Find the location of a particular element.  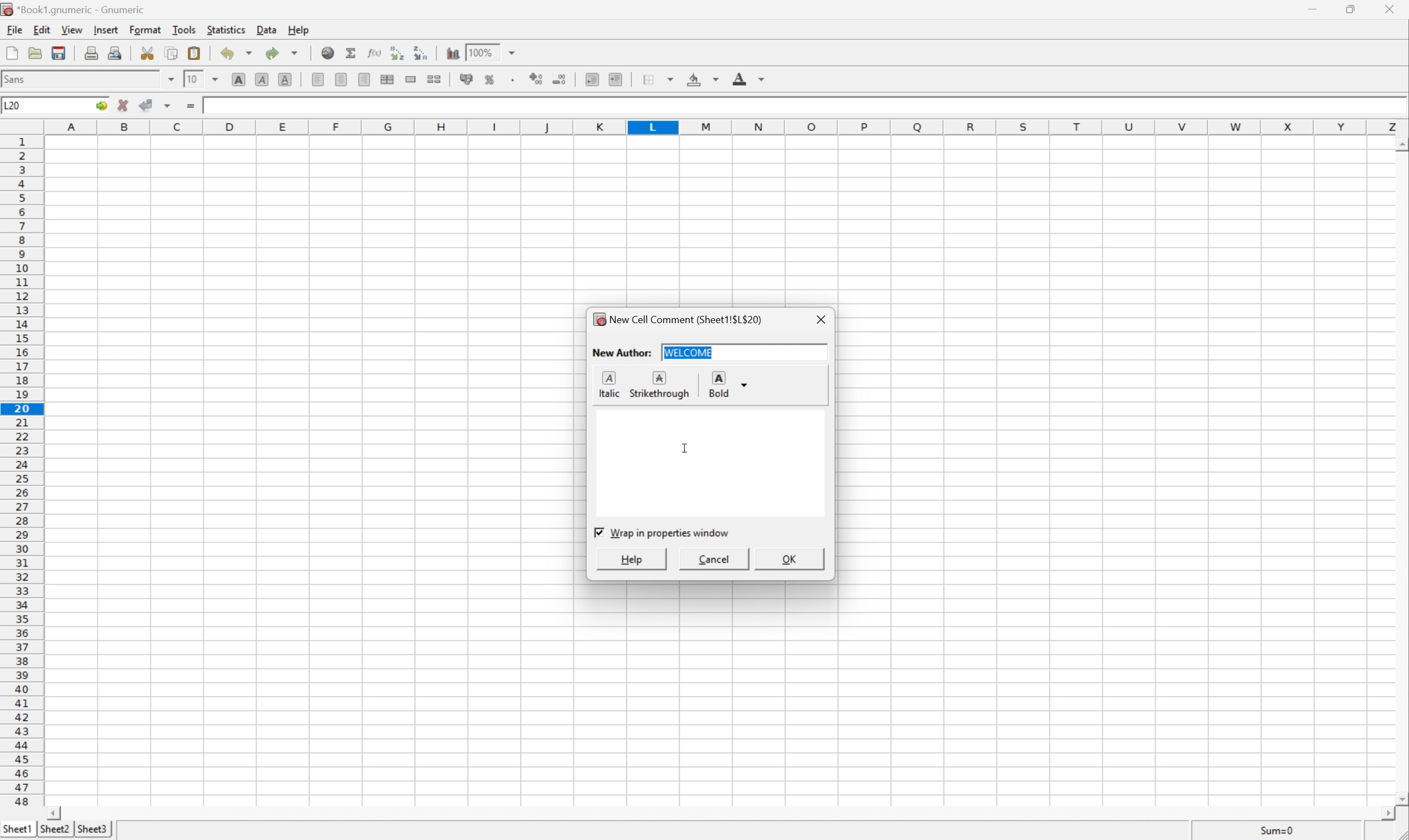

Center horizontally across selection is located at coordinates (387, 79).